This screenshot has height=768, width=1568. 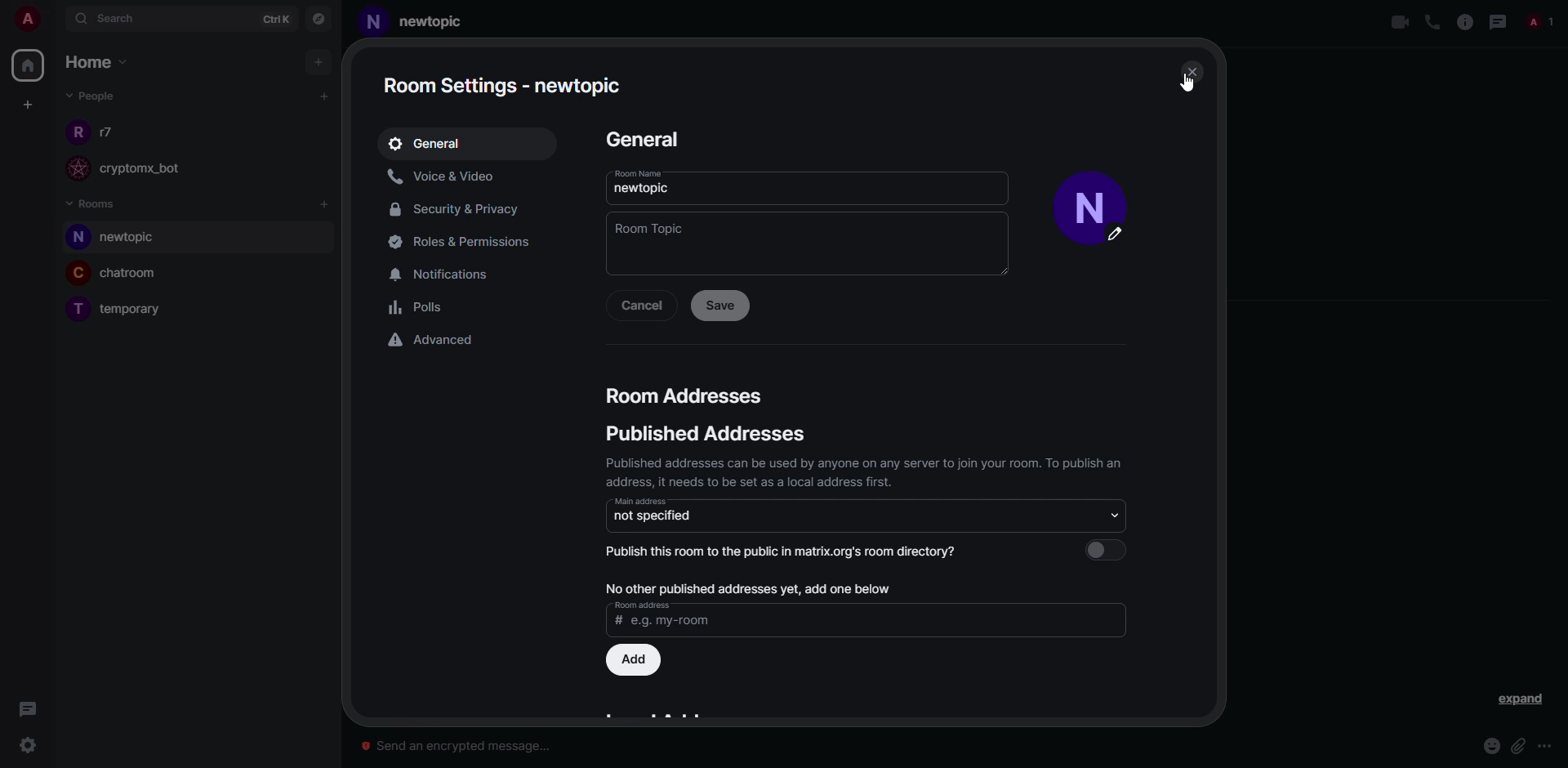 I want to click on profile image, so click(x=74, y=168).